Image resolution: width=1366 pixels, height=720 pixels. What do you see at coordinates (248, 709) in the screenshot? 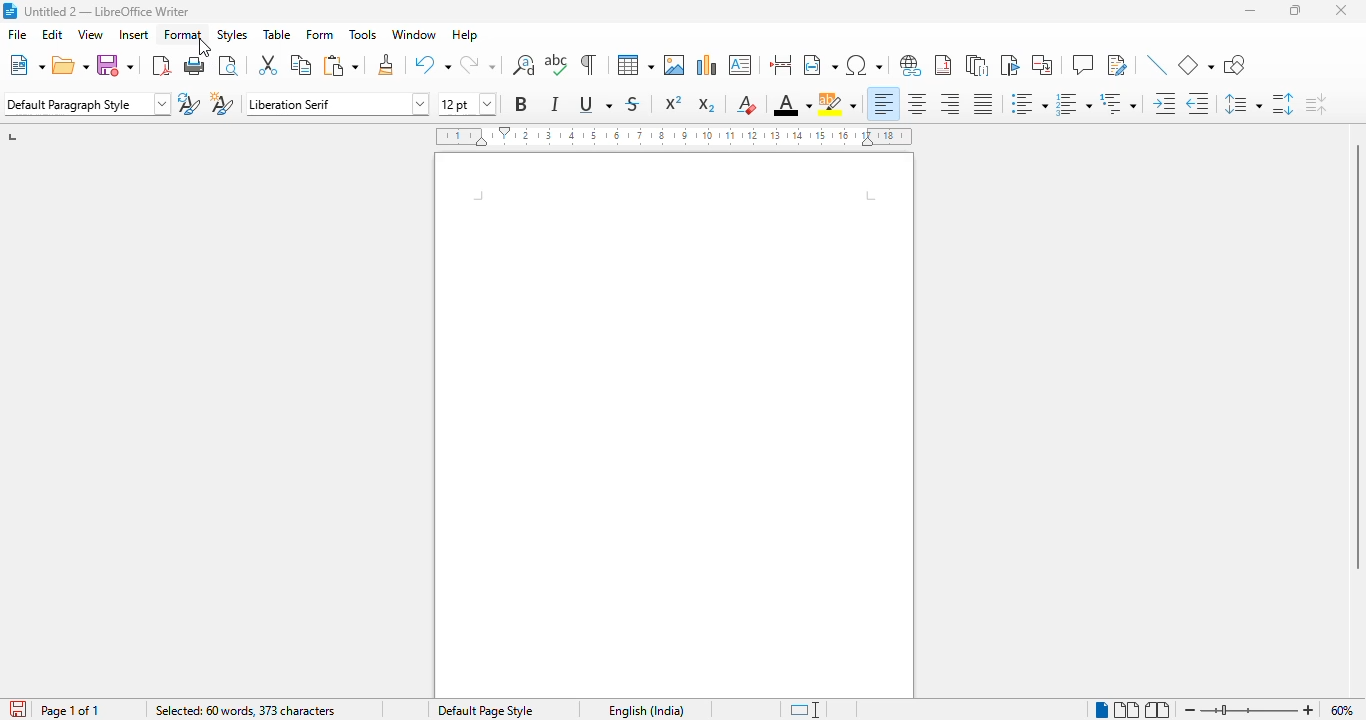
I see `Selected 60 words, 373 characters` at bounding box center [248, 709].